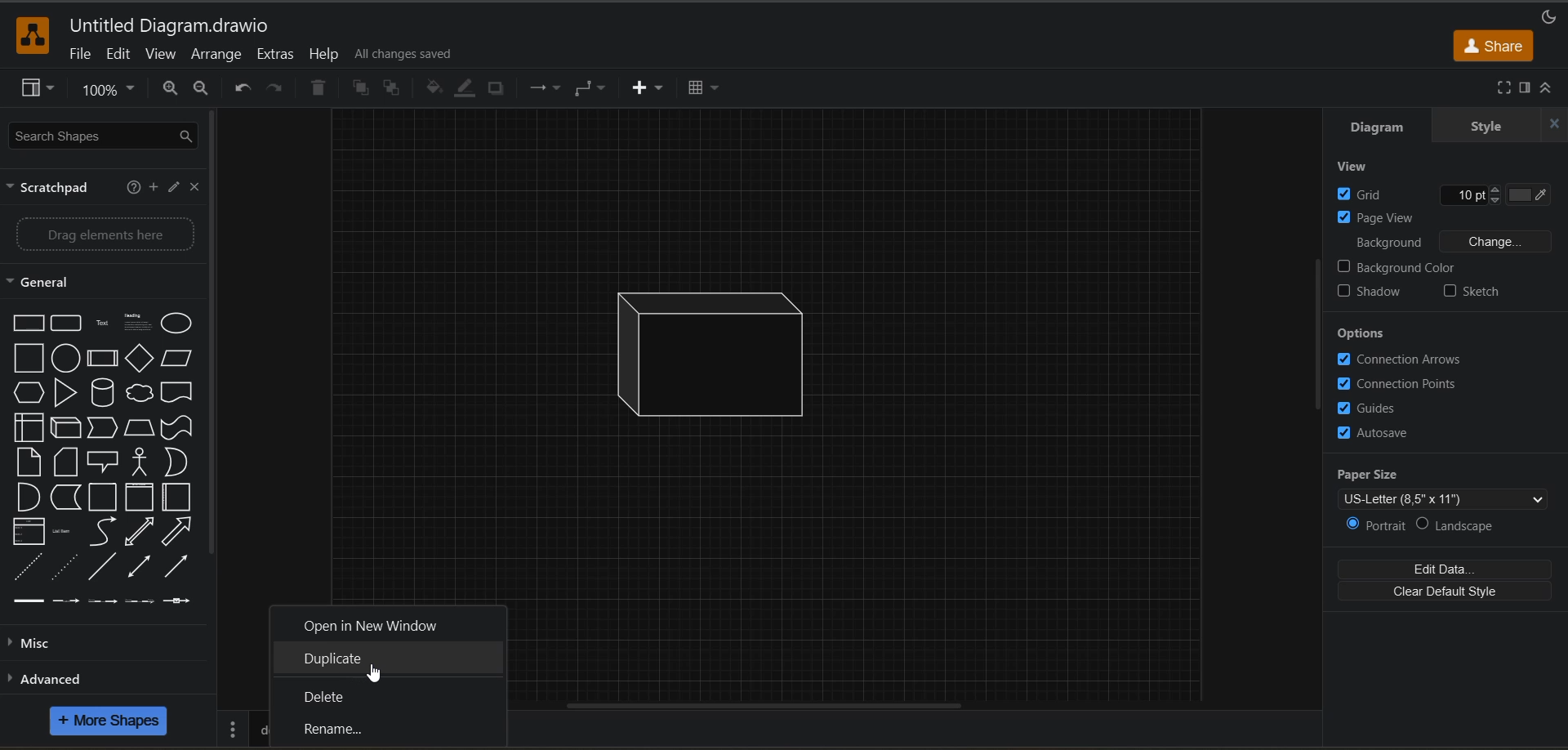 The image size is (1568, 750). I want to click on page view, so click(1384, 216).